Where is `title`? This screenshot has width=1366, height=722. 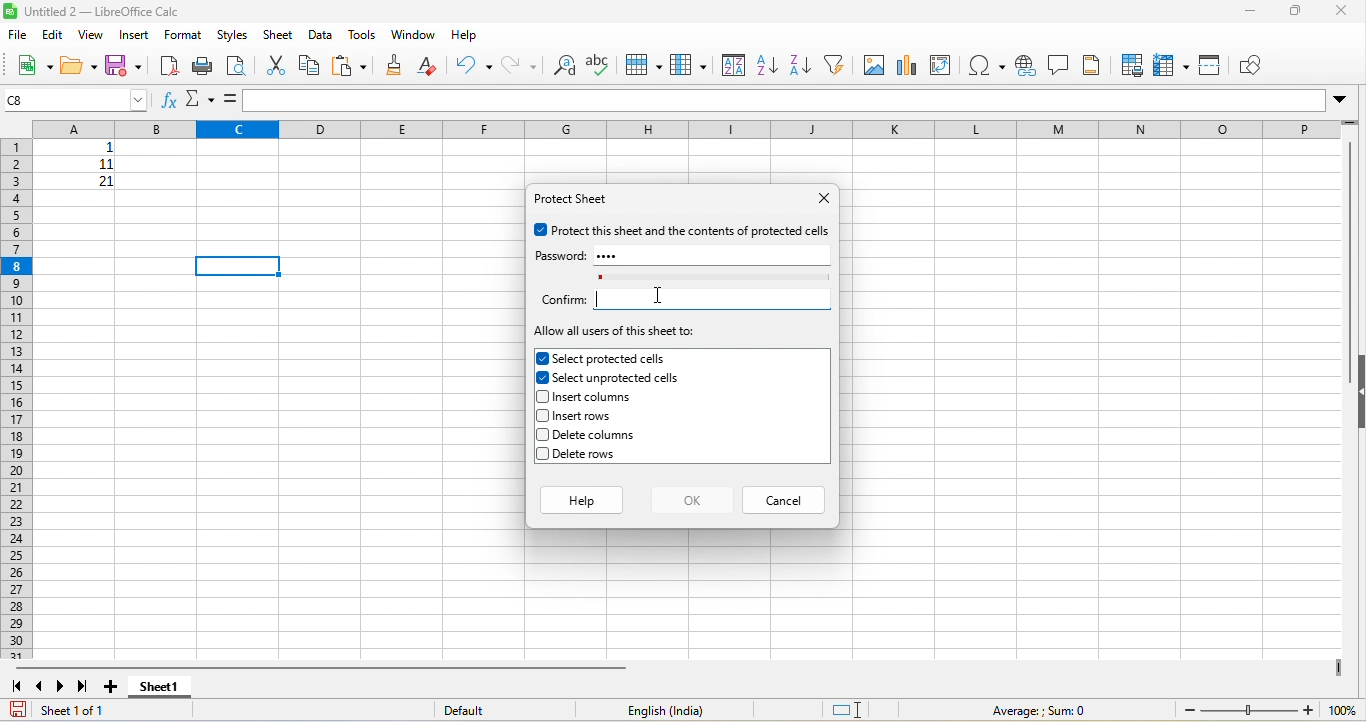
title is located at coordinates (95, 12).